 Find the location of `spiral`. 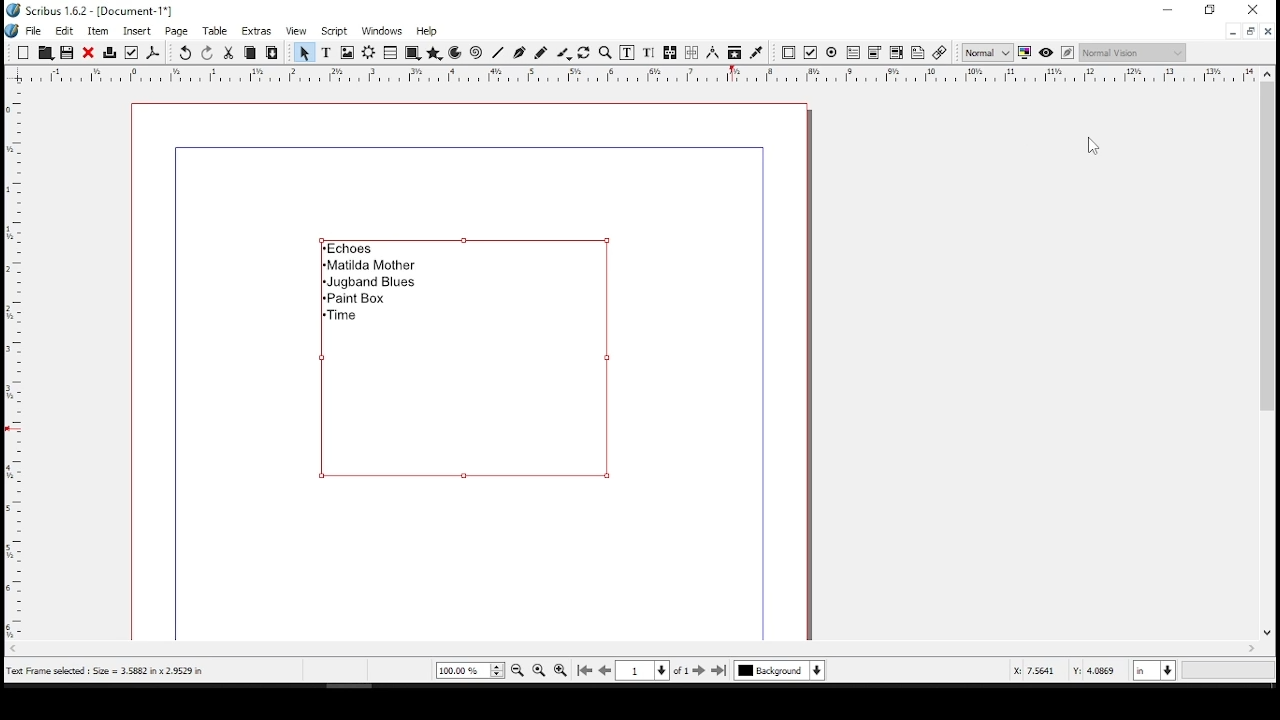

spiral is located at coordinates (475, 54).